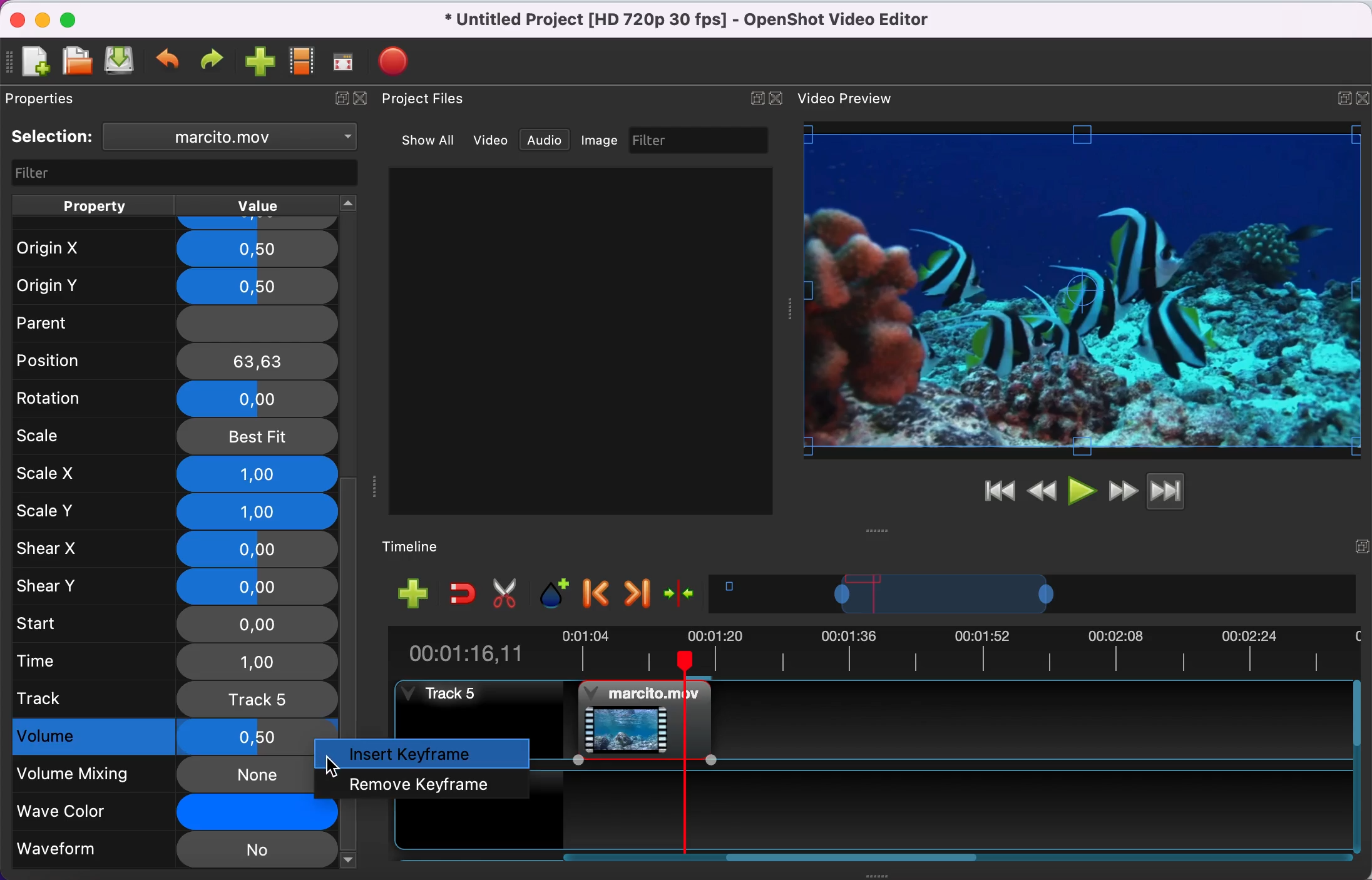 The image size is (1372, 880). I want to click on start 0, so click(174, 623).